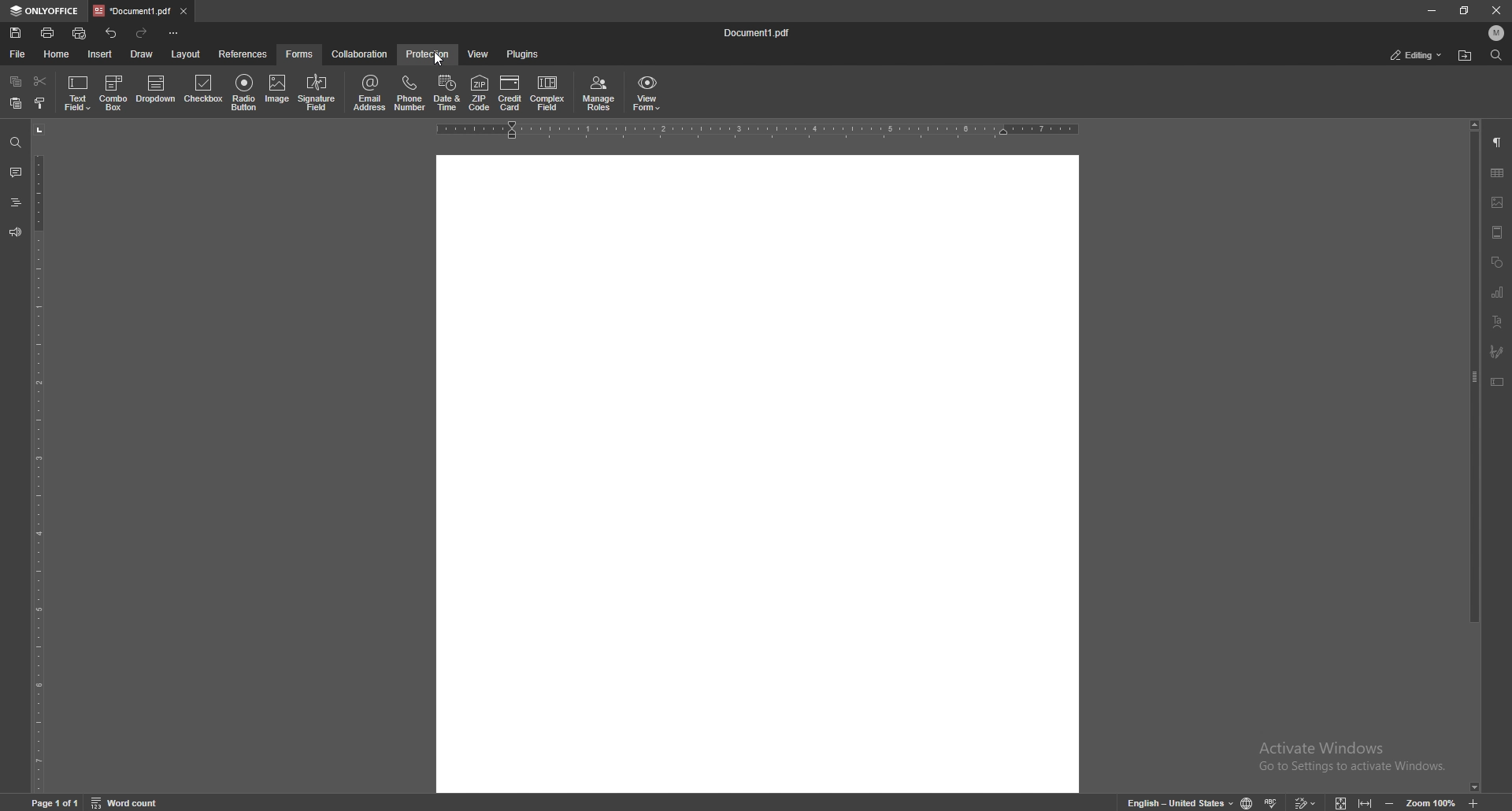  What do you see at coordinates (758, 472) in the screenshot?
I see `document` at bounding box center [758, 472].